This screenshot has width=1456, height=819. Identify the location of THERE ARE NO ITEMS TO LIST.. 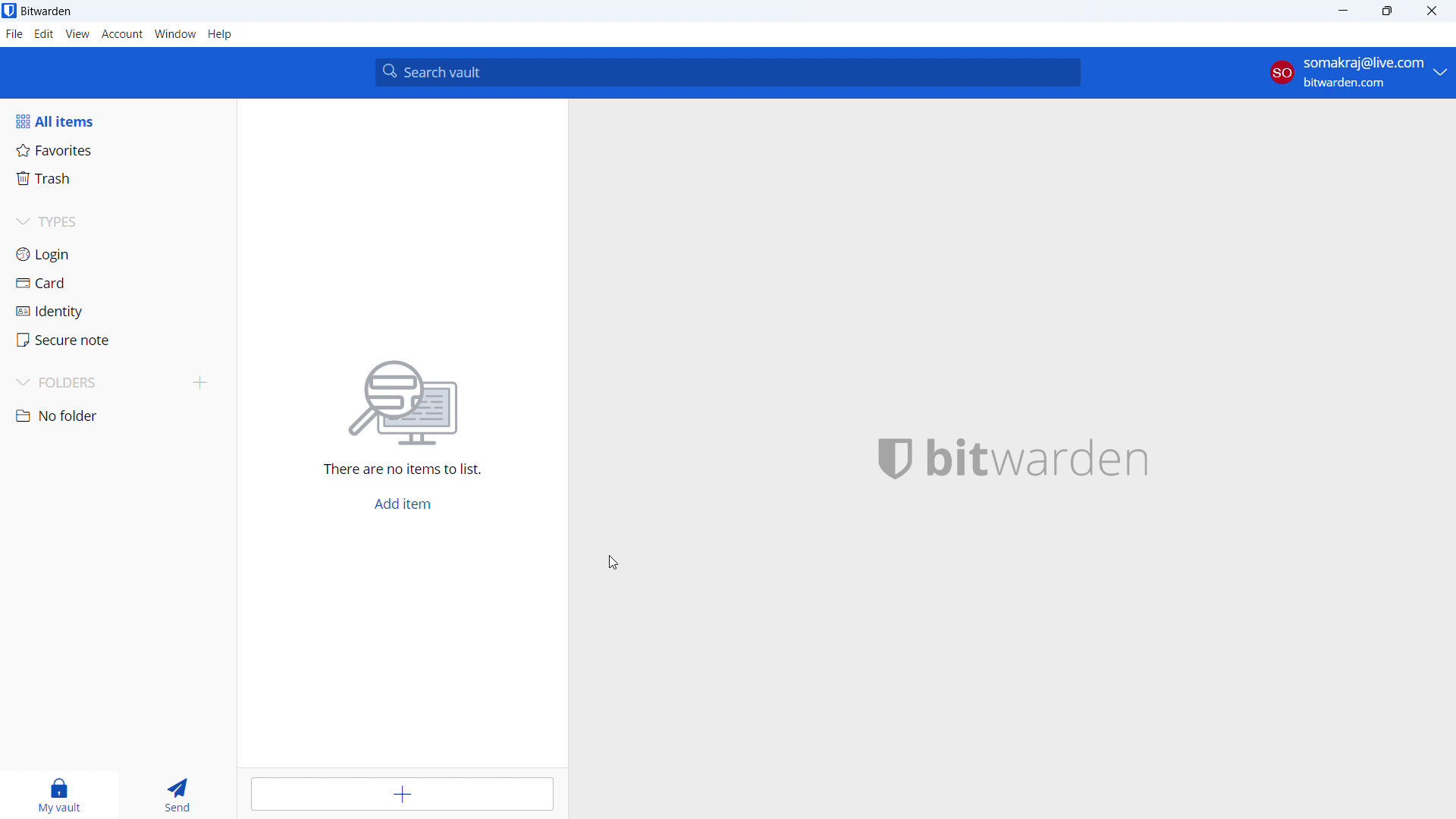
(420, 470).